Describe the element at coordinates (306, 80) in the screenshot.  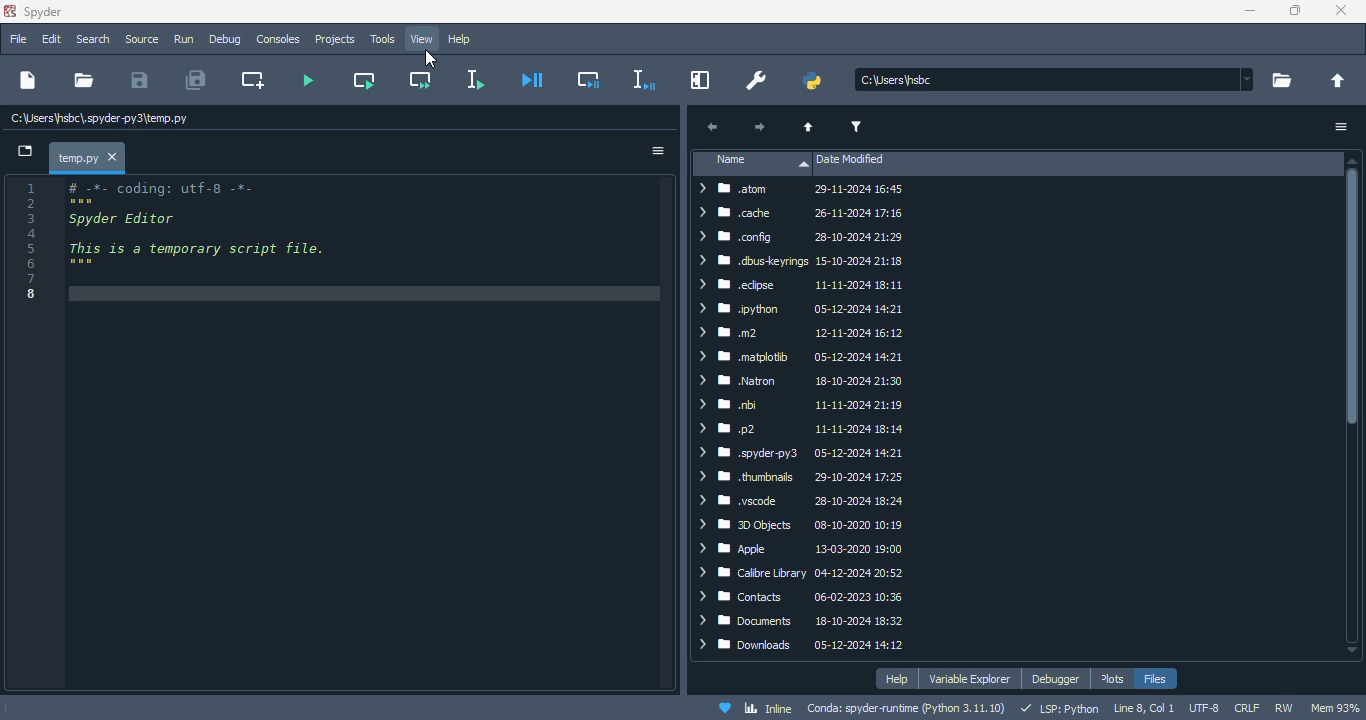
I see `run file` at that location.